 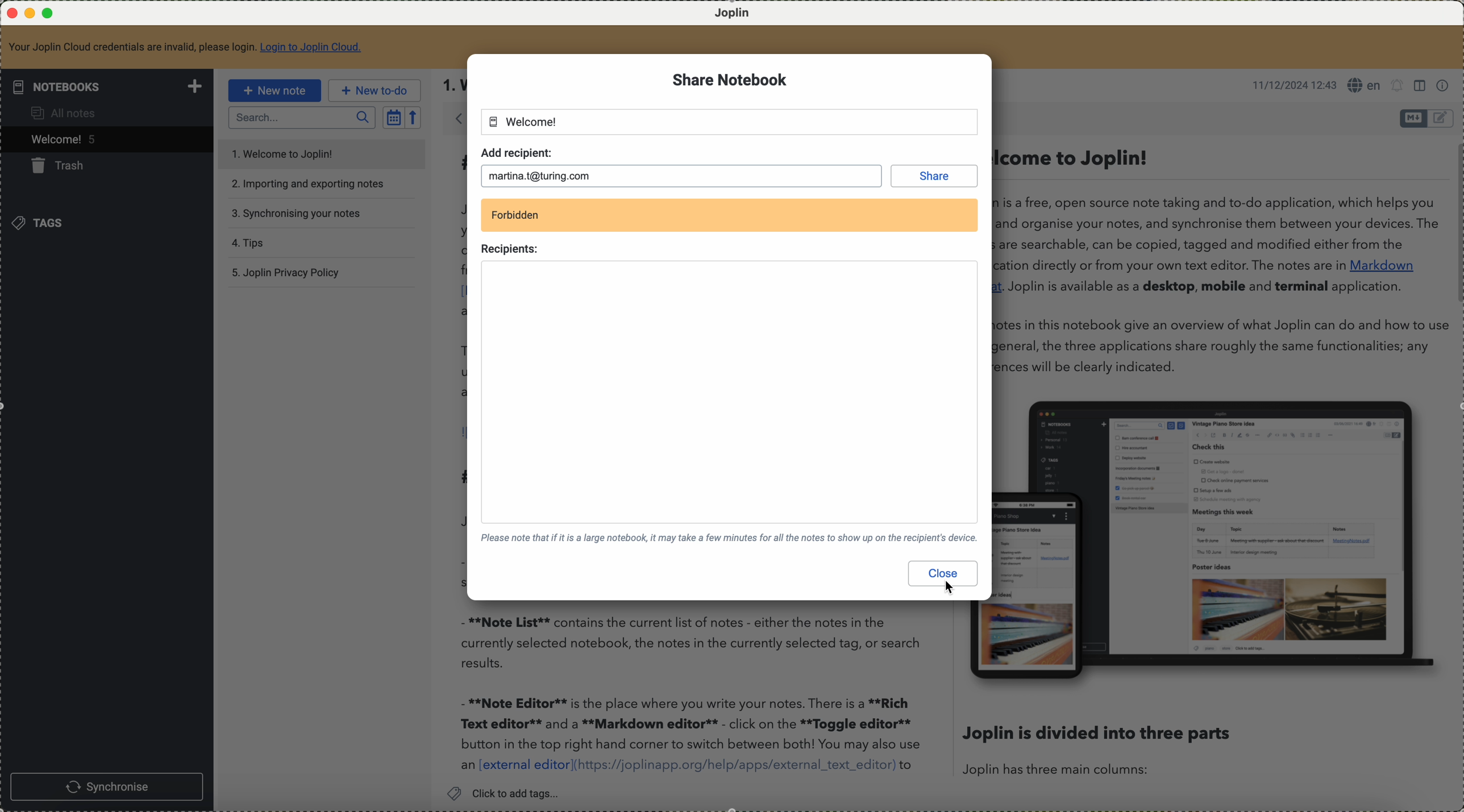 I want to click on add recipient, so click(x=516, y=151).